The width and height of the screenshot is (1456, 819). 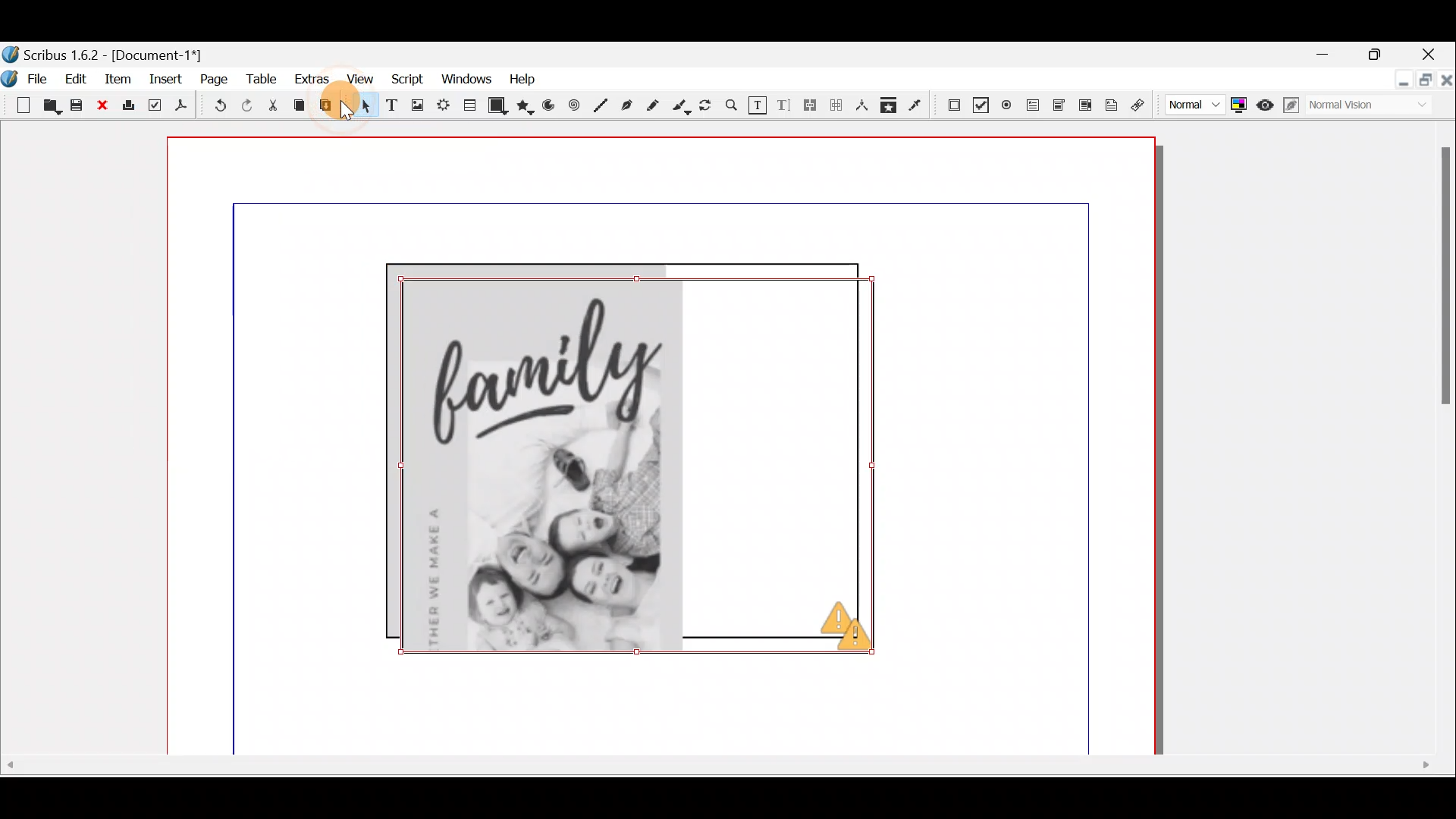 What do you see at coordinates (980, 102) in the screenshot?
I see `PDF check box` at bounding box center [980, 102].